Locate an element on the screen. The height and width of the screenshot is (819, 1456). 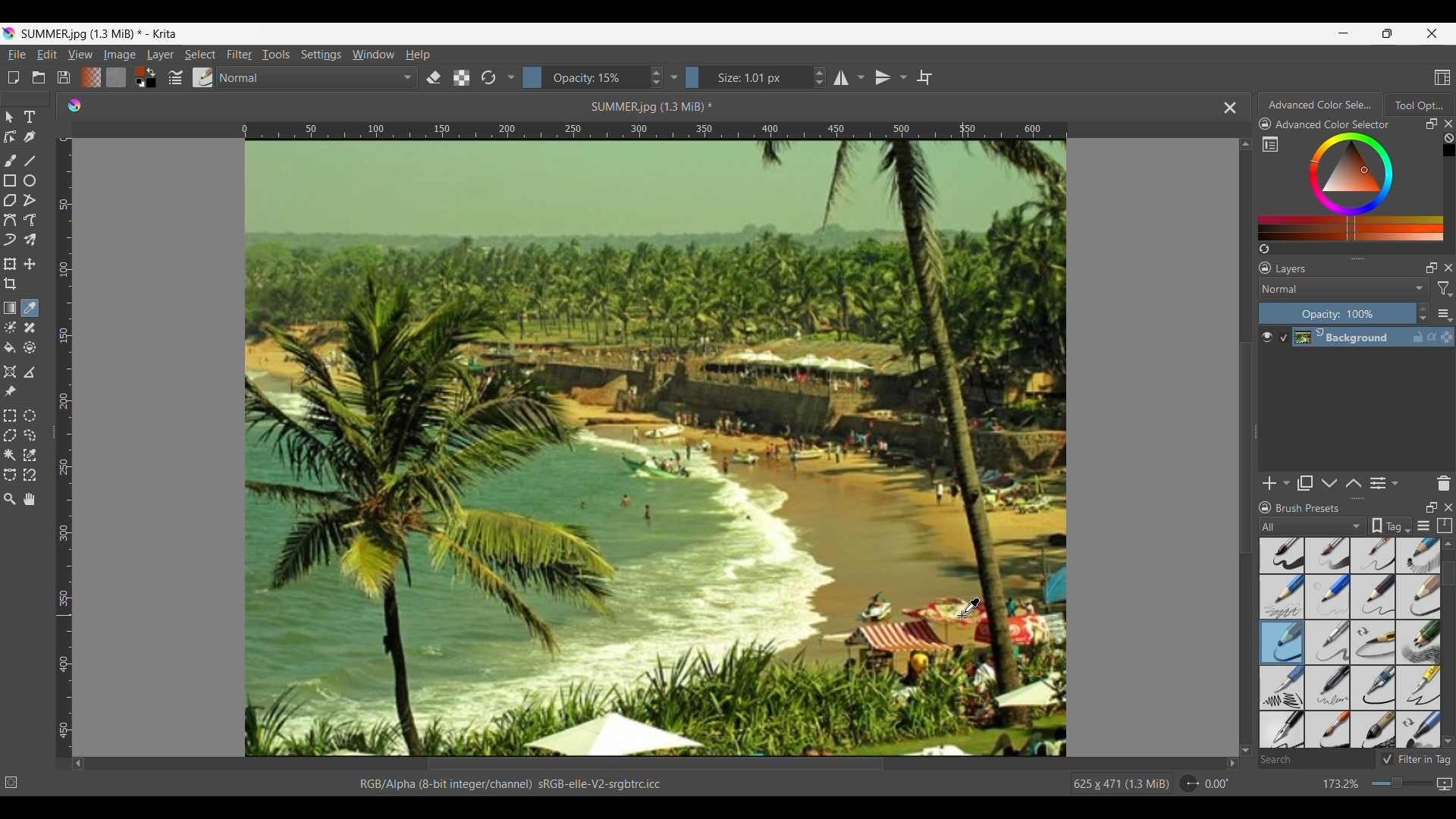
Reference images tool is located at coordinates (9, 392).